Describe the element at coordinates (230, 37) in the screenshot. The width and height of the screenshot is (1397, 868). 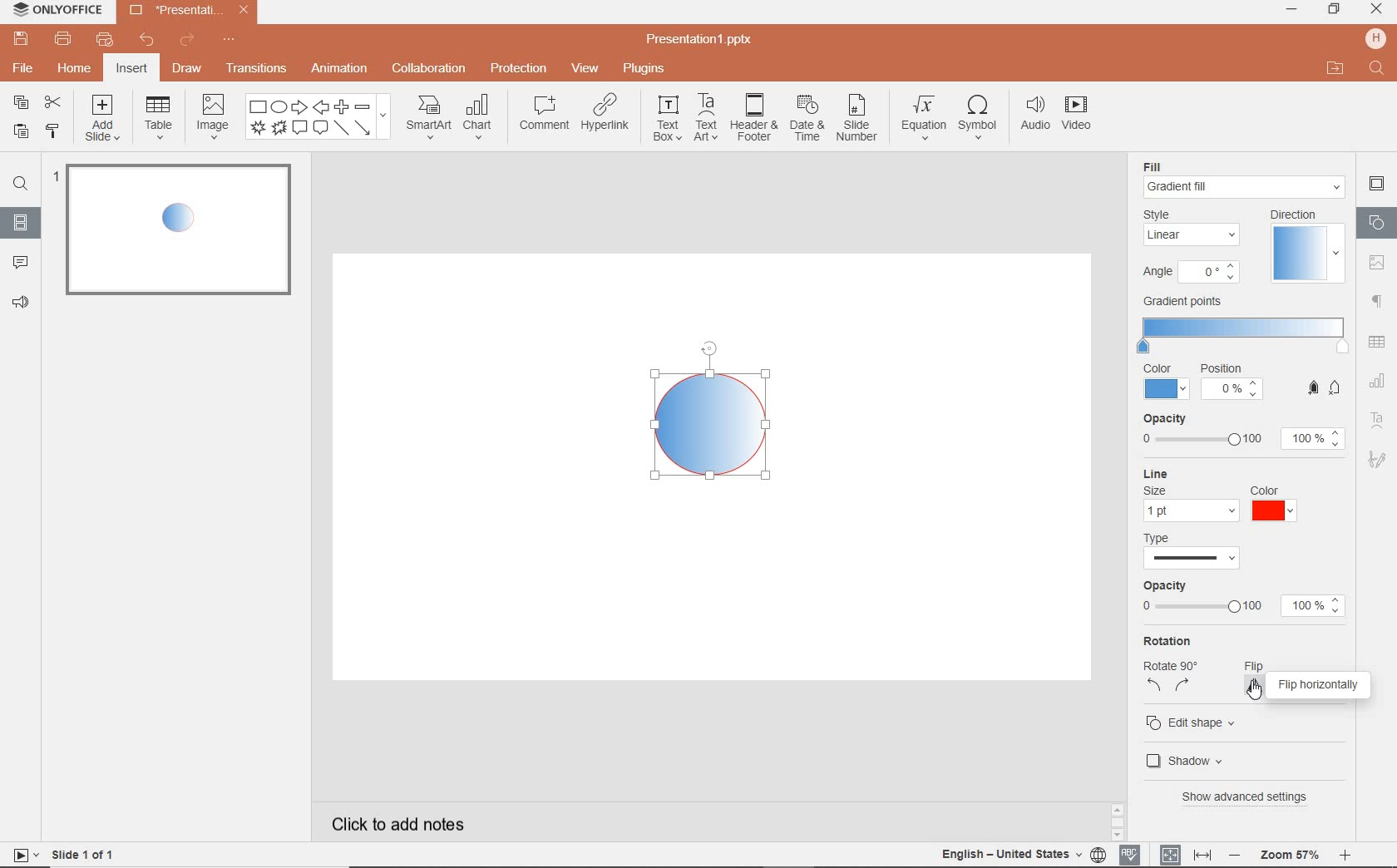
I see `customize quick access toolbar` at that location.